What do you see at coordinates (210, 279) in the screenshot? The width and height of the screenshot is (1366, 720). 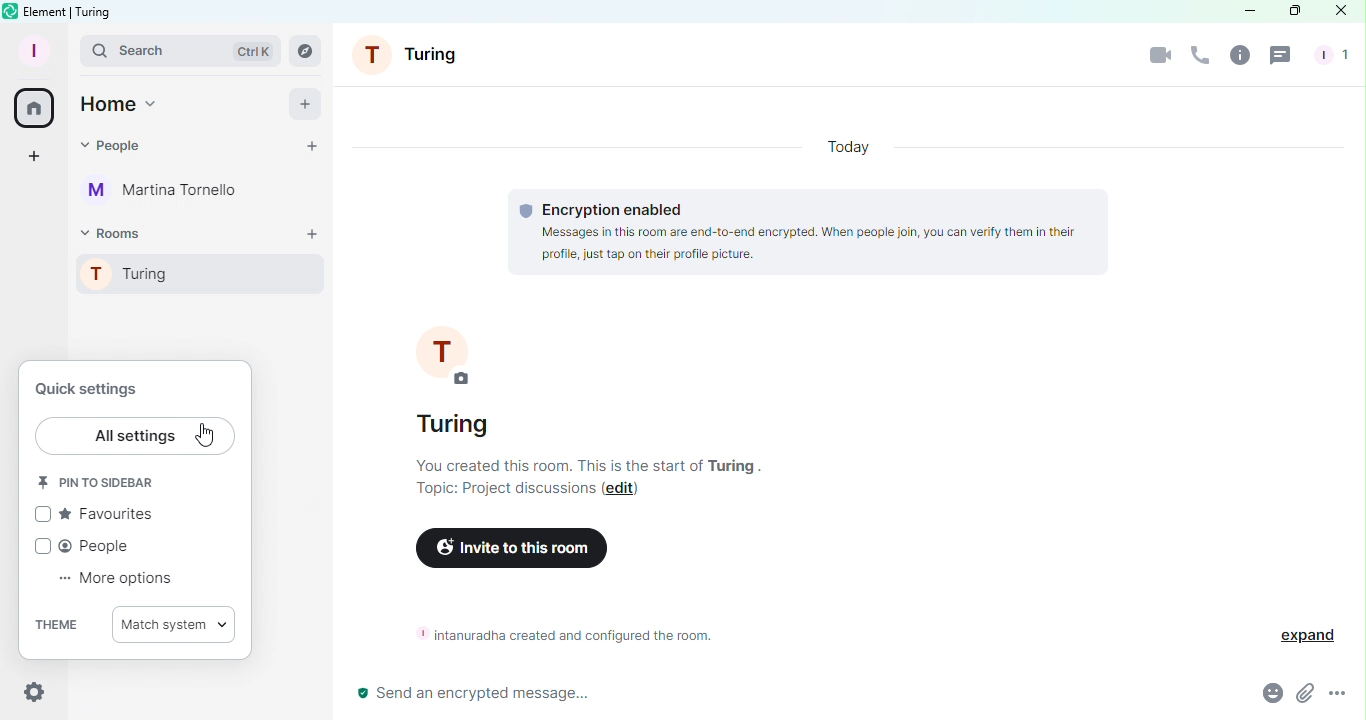 I see `Turing` at bounding box center [210, 279].